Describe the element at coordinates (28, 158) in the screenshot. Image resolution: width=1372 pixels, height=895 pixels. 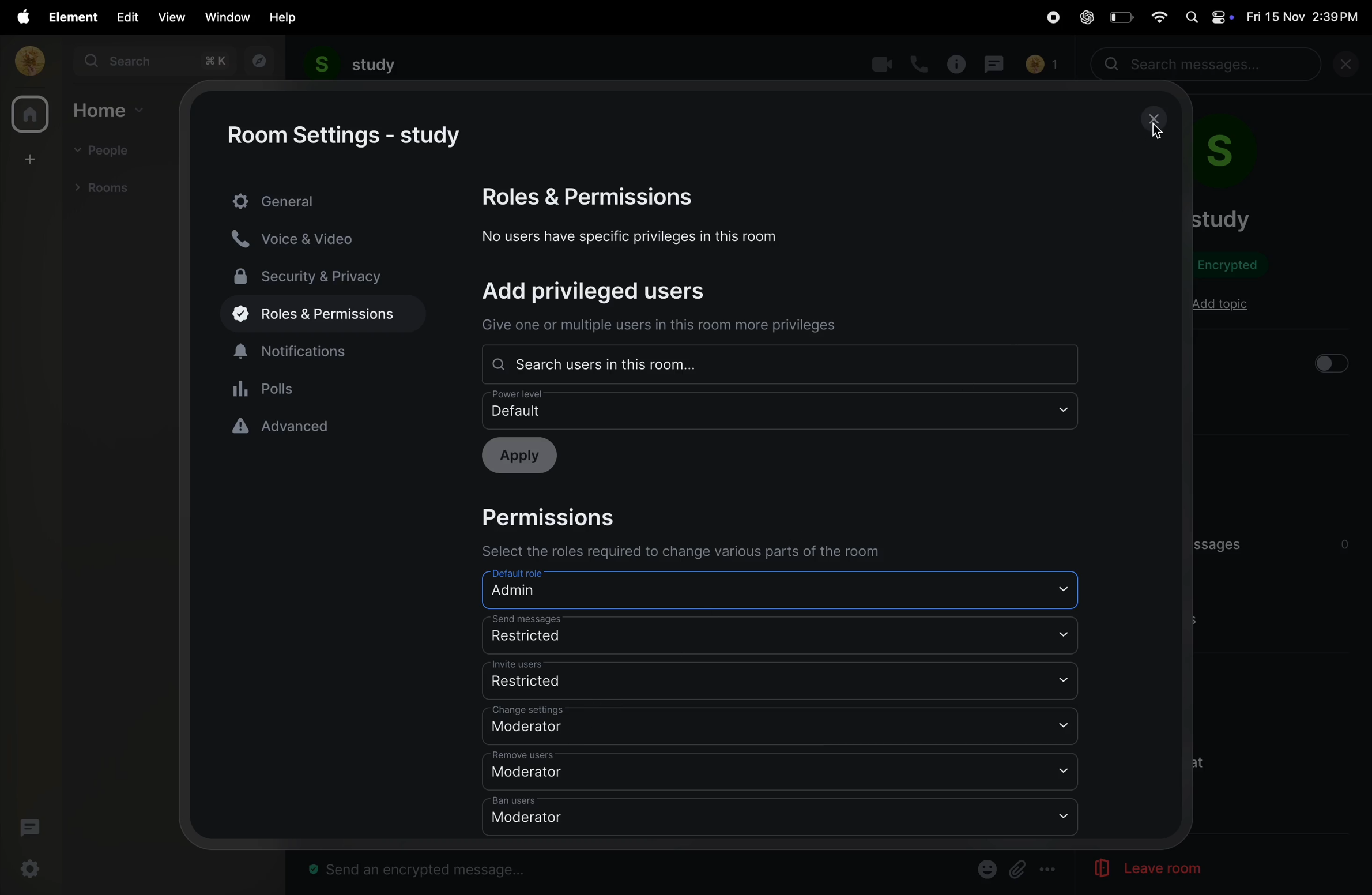
I see `create space` at that location.